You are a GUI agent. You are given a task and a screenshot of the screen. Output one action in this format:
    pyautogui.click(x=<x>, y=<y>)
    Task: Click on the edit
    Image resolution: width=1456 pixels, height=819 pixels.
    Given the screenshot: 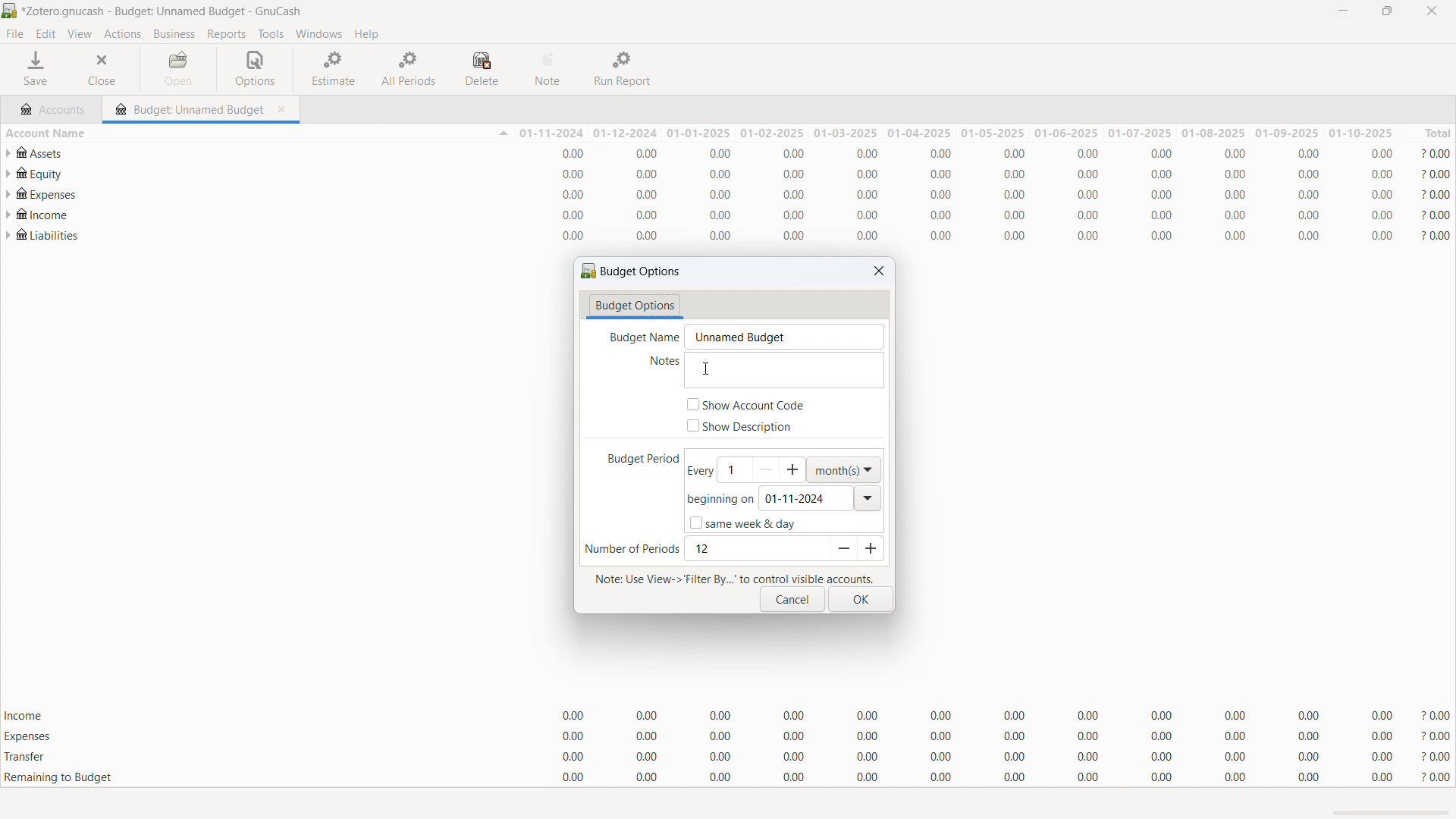 What is the action you would take?
    pyautogui.click(x=46, y=34)
    